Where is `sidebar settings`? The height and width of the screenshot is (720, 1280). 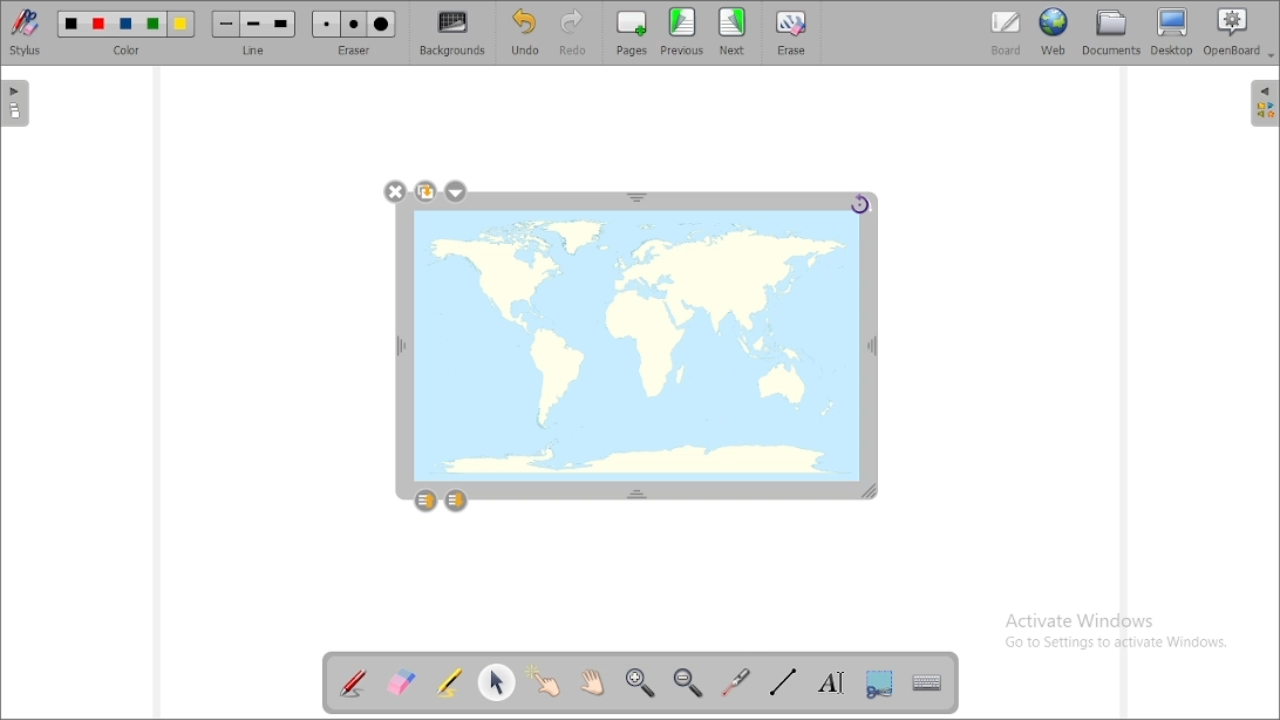
sidebar settings is located at coordinates (1262, 103).